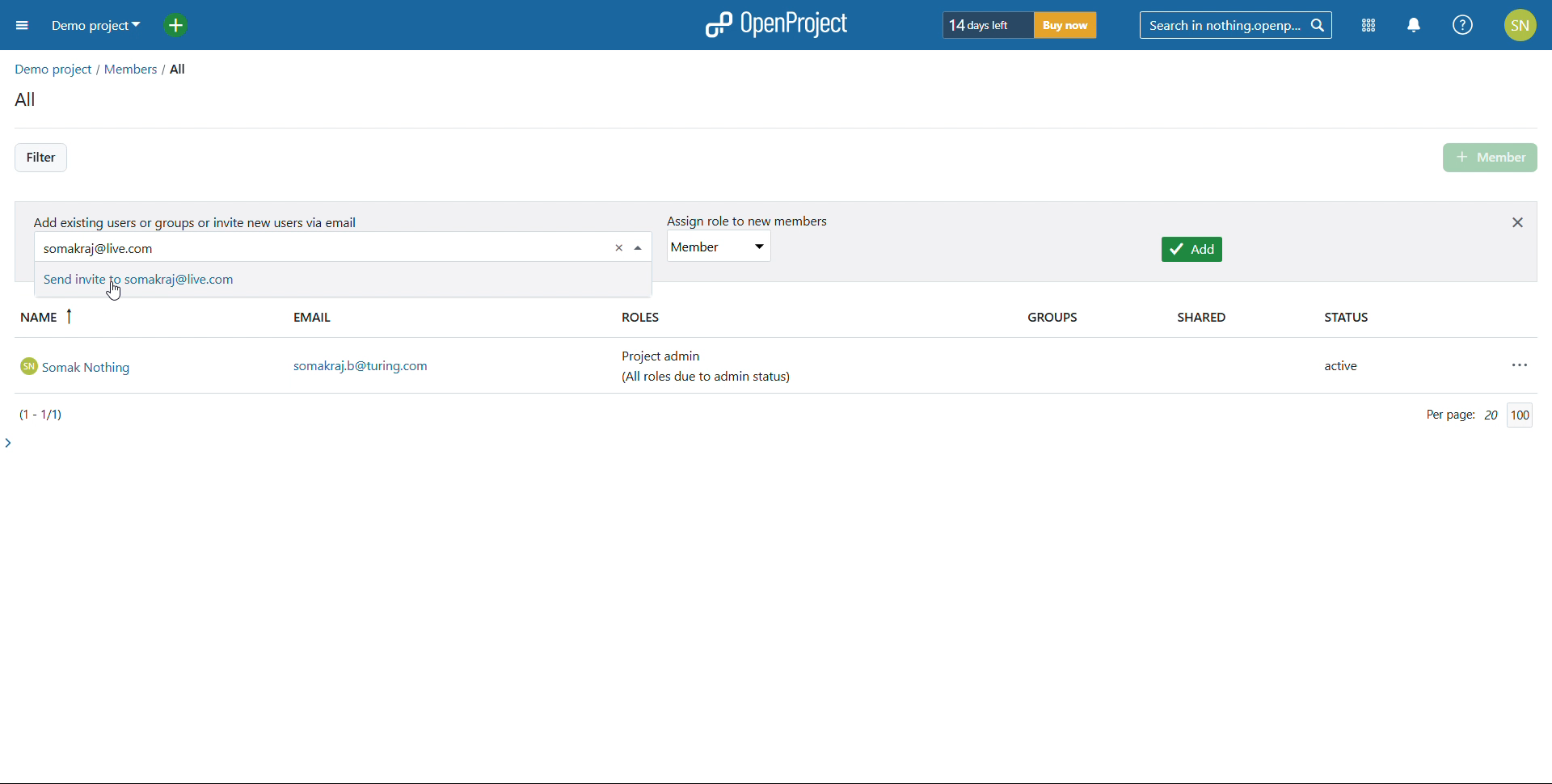 This screenshot has width=1552, height=784. Describe the element at coordinates (198, 219) in the screenshot. I see `add existing users or groups or invite new users via email` at that location.